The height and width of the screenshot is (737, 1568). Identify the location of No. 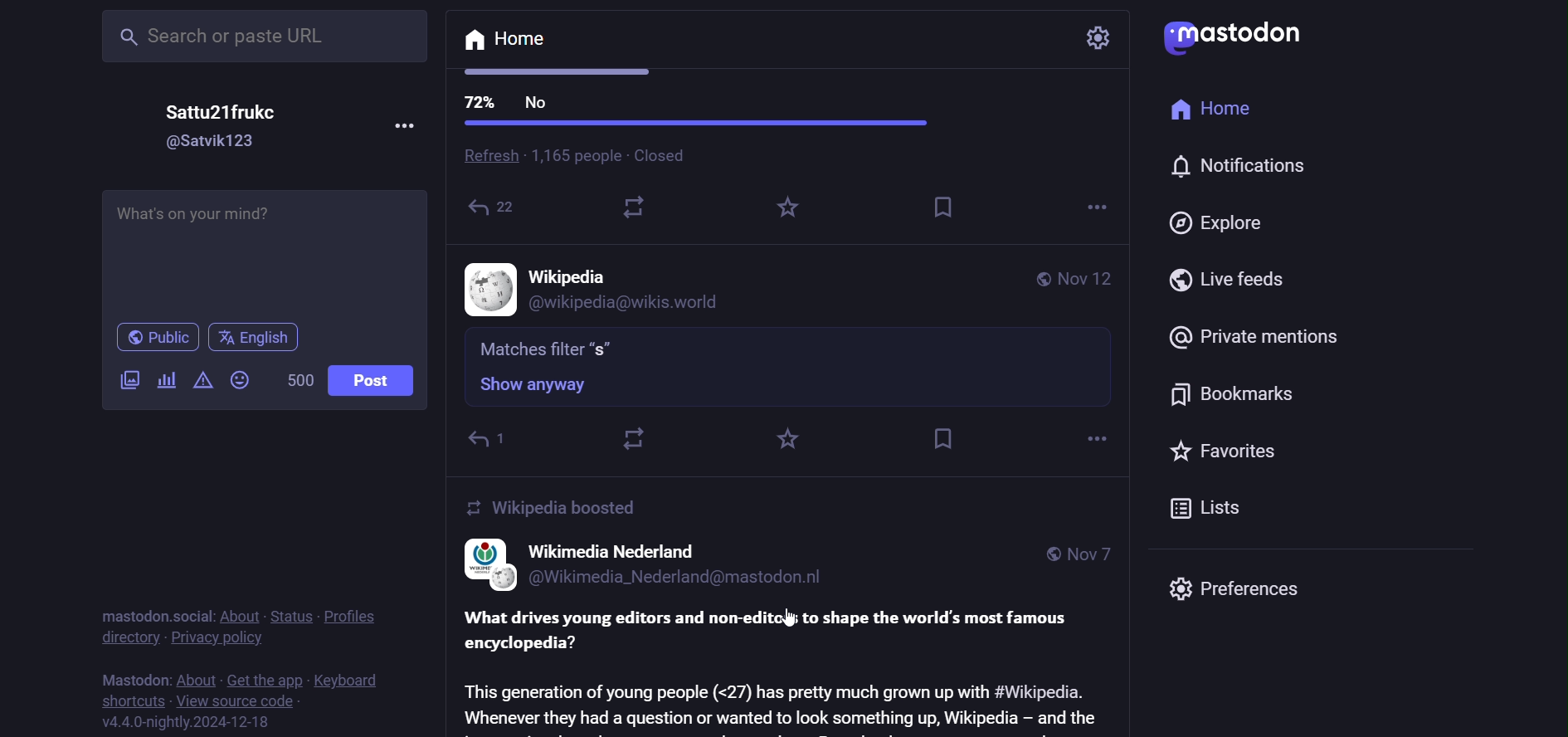
(539, 104).